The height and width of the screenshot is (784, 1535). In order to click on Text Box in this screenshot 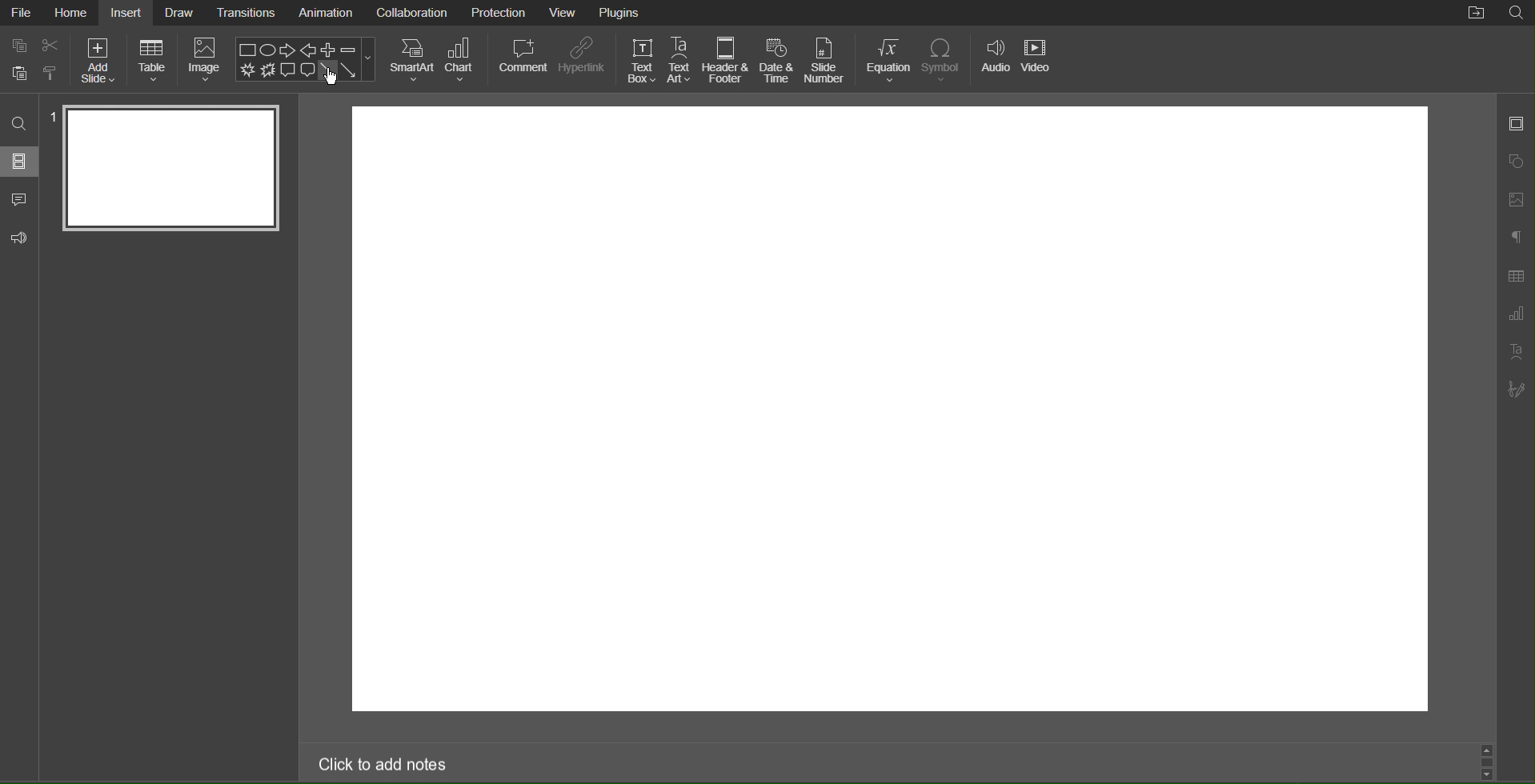, I will do `click(639, 59)`.